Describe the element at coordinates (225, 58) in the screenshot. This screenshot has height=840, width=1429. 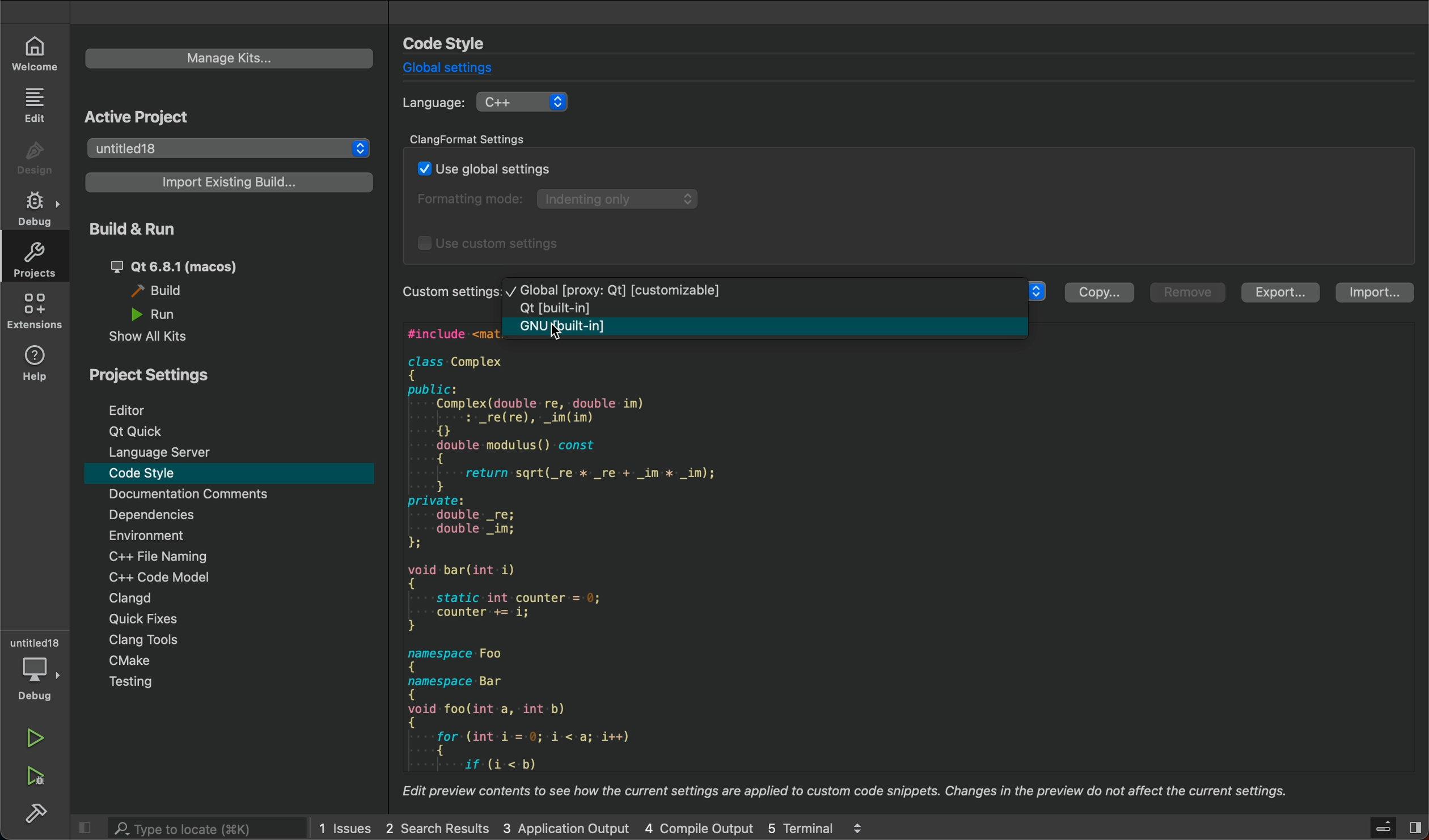
I see `manage kits` at that location.